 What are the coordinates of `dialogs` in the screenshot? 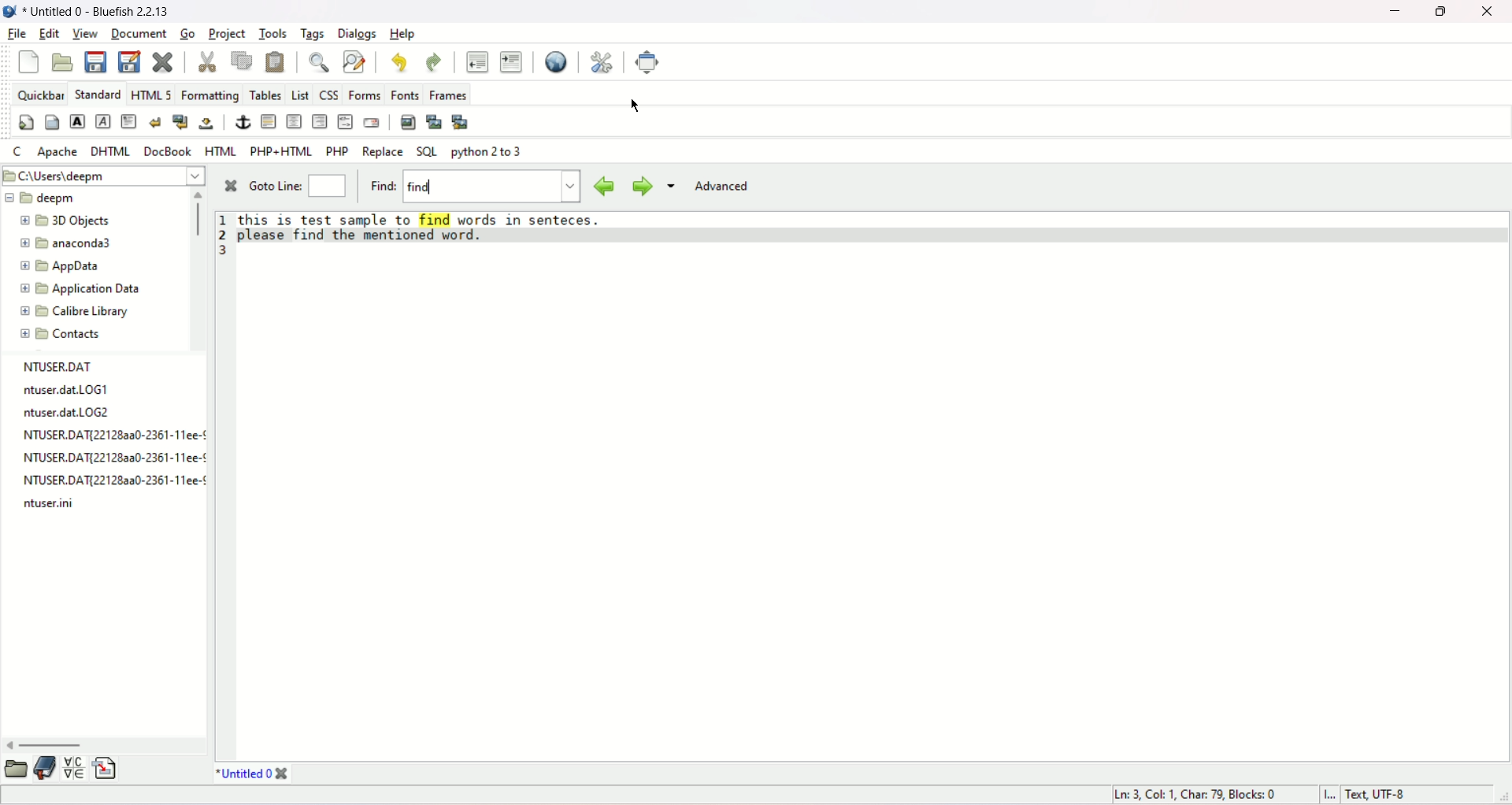 It's located at (358, 34).